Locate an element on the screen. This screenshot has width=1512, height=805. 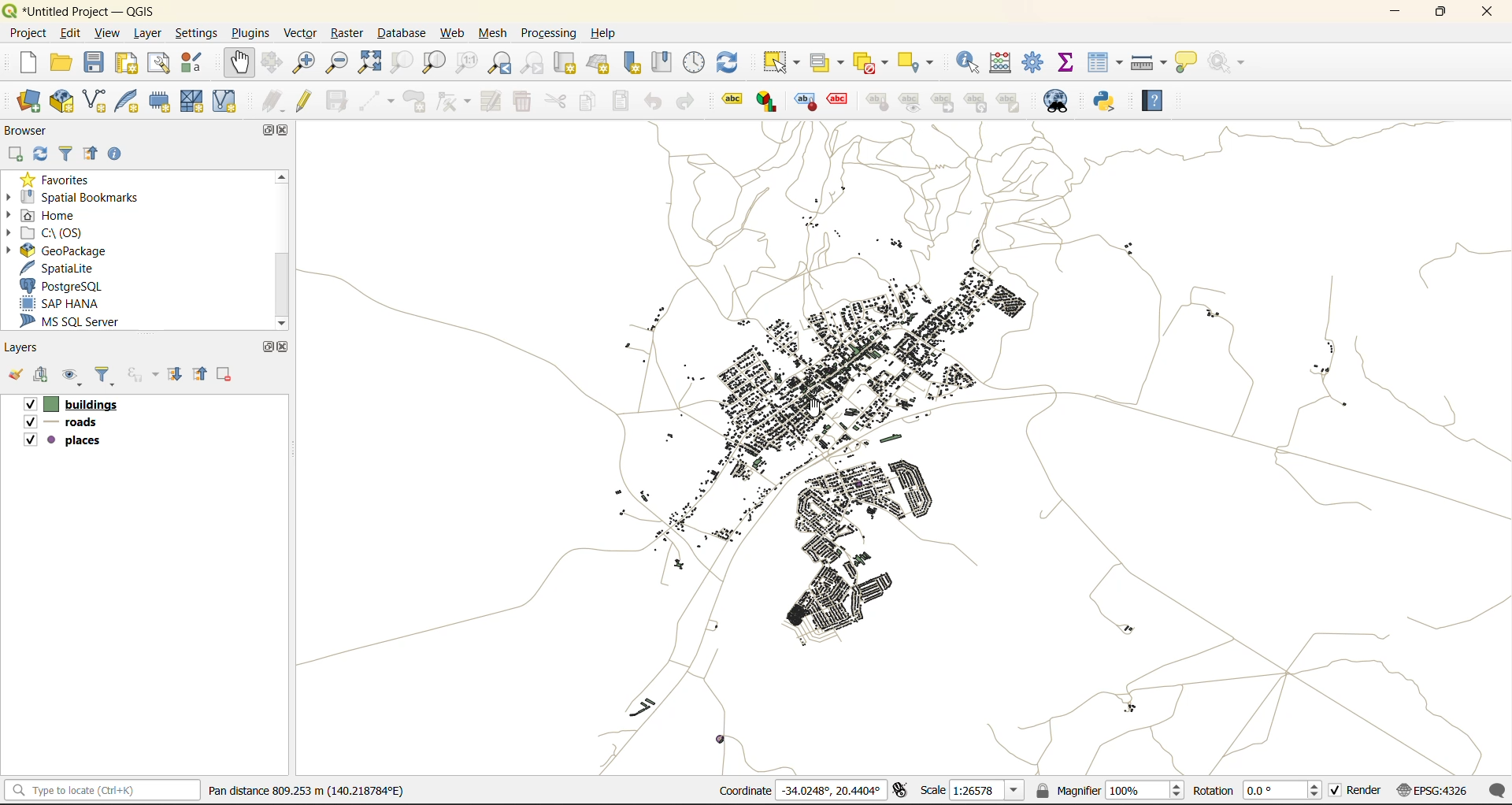
zoom next is located at coordinates (532, 63).